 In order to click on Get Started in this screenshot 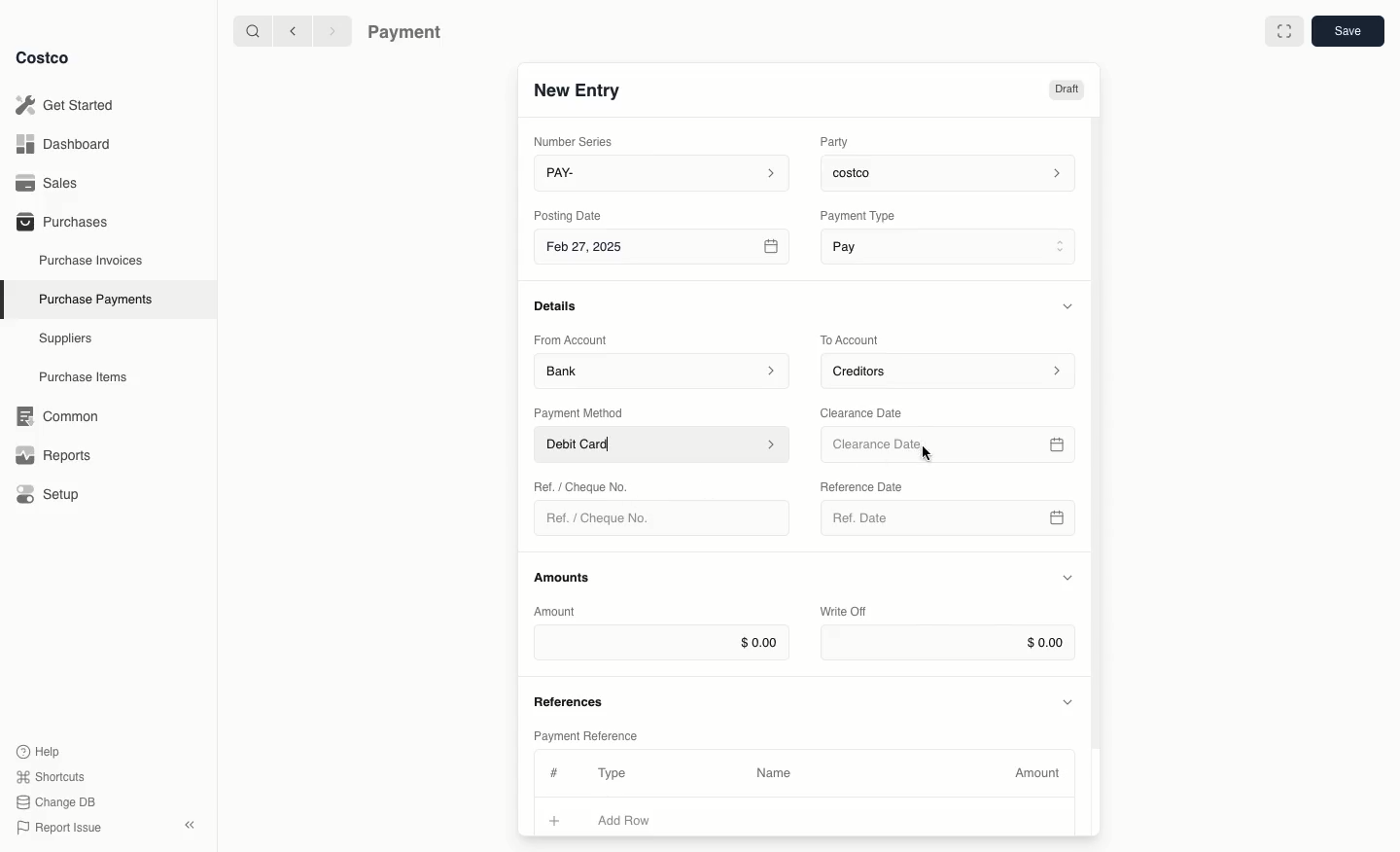, I will do `click(69, 105)`.